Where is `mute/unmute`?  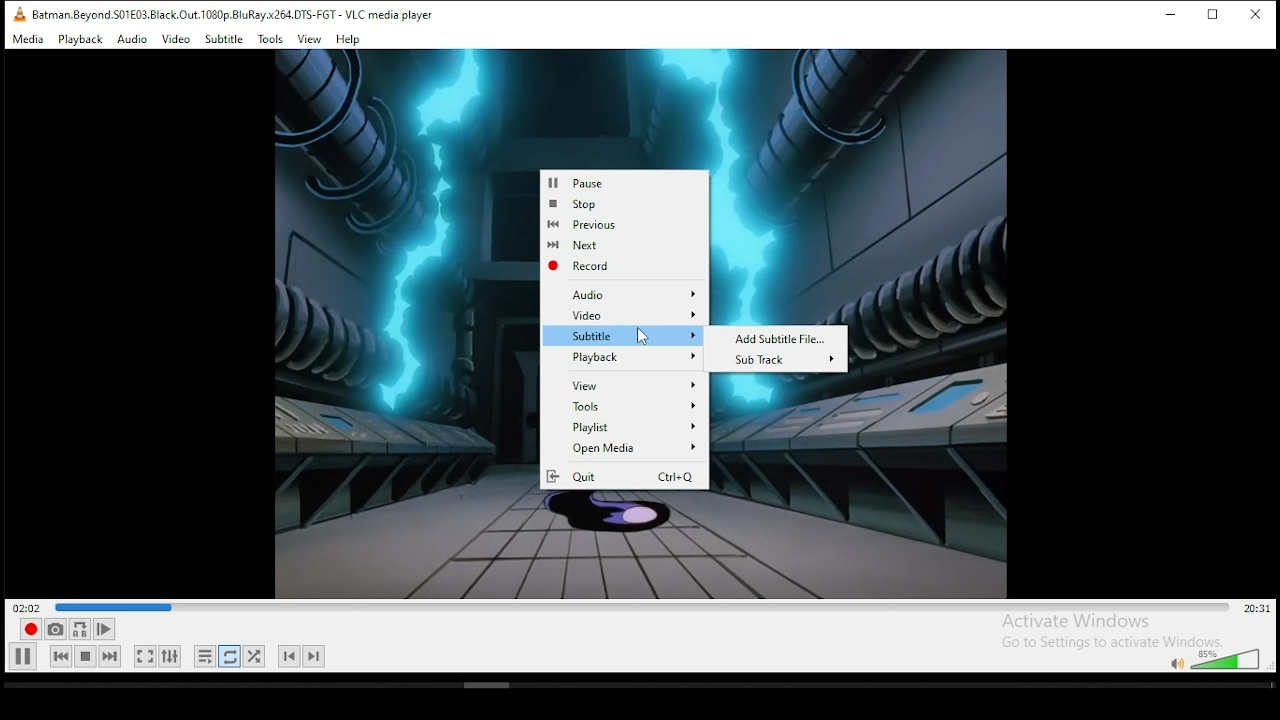 mute/unmute is located at coordinates (1176, 663).